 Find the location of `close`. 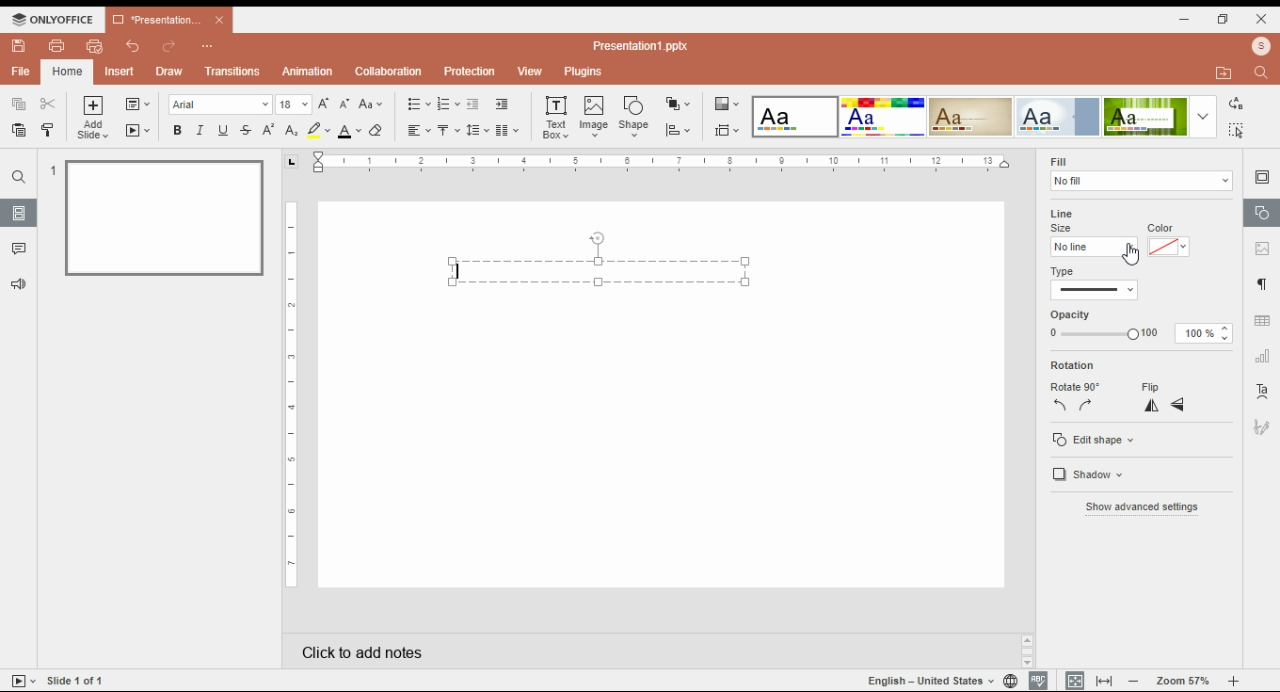

close is located at coordinates (220, 20).